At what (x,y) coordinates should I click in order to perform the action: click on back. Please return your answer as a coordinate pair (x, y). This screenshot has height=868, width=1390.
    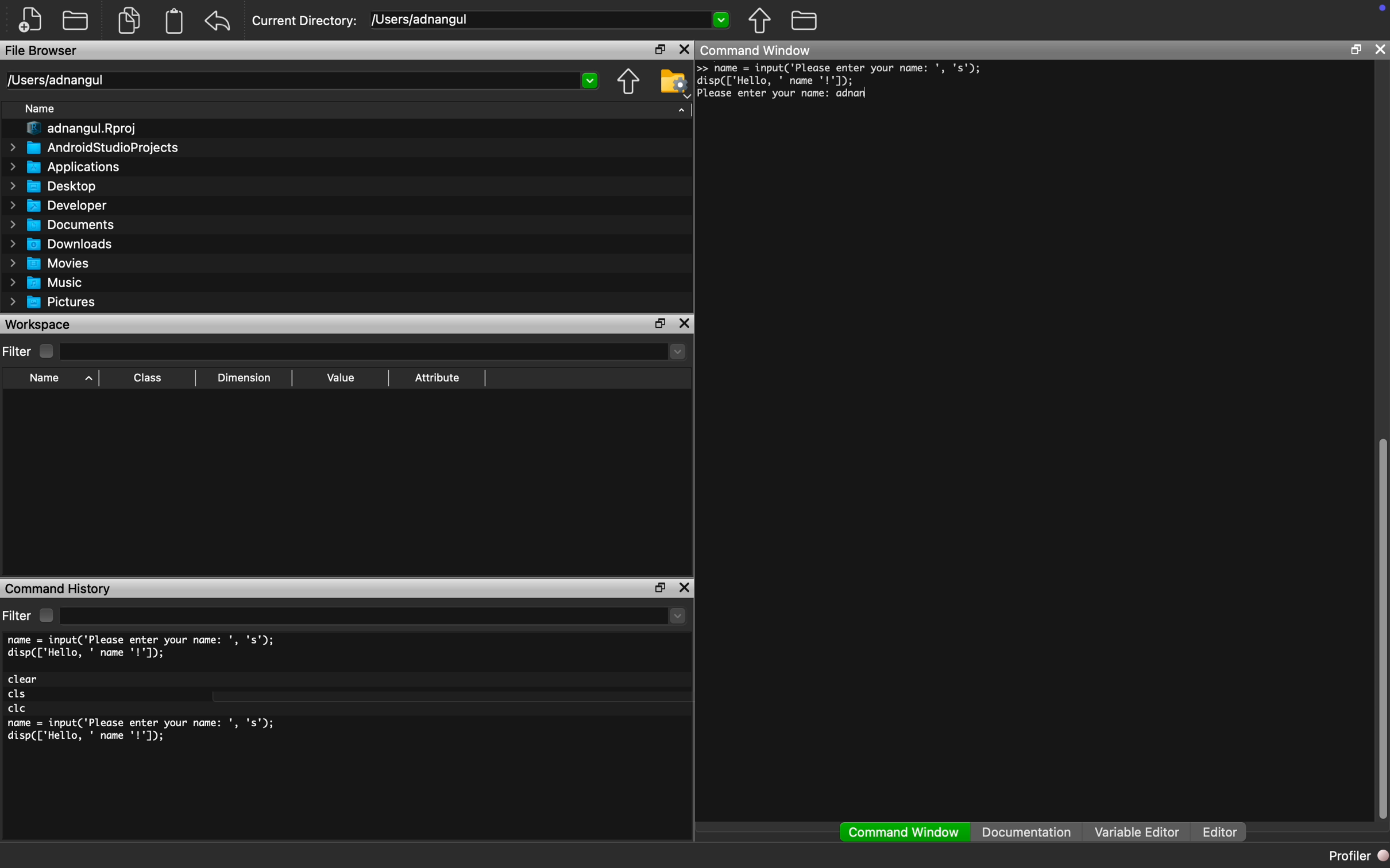
    Looking at the image, I should click on (218, 21).